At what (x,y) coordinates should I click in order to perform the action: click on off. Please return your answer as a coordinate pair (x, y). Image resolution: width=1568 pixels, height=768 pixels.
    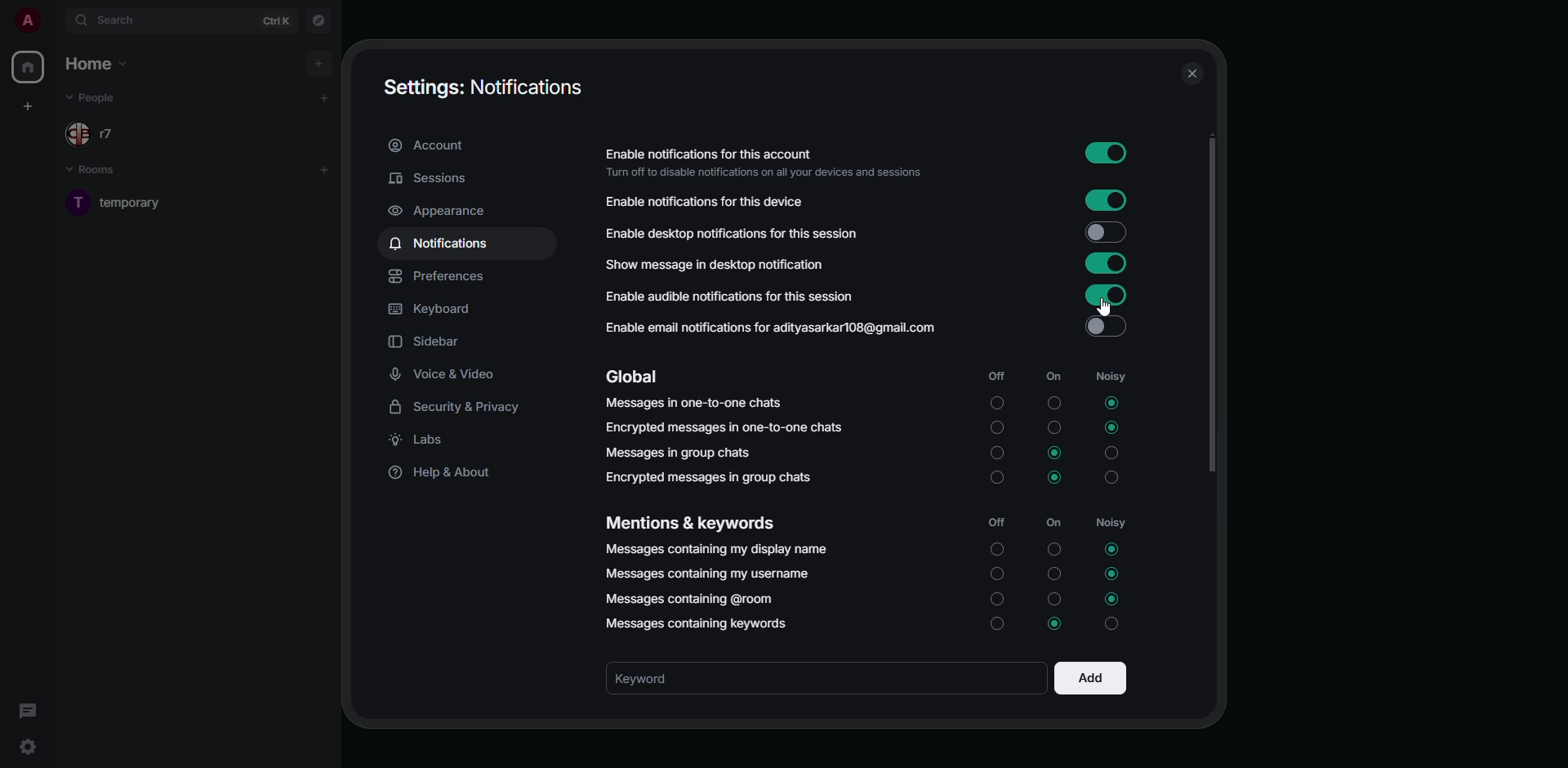
    Looking at the image, I should click on (996, 625).